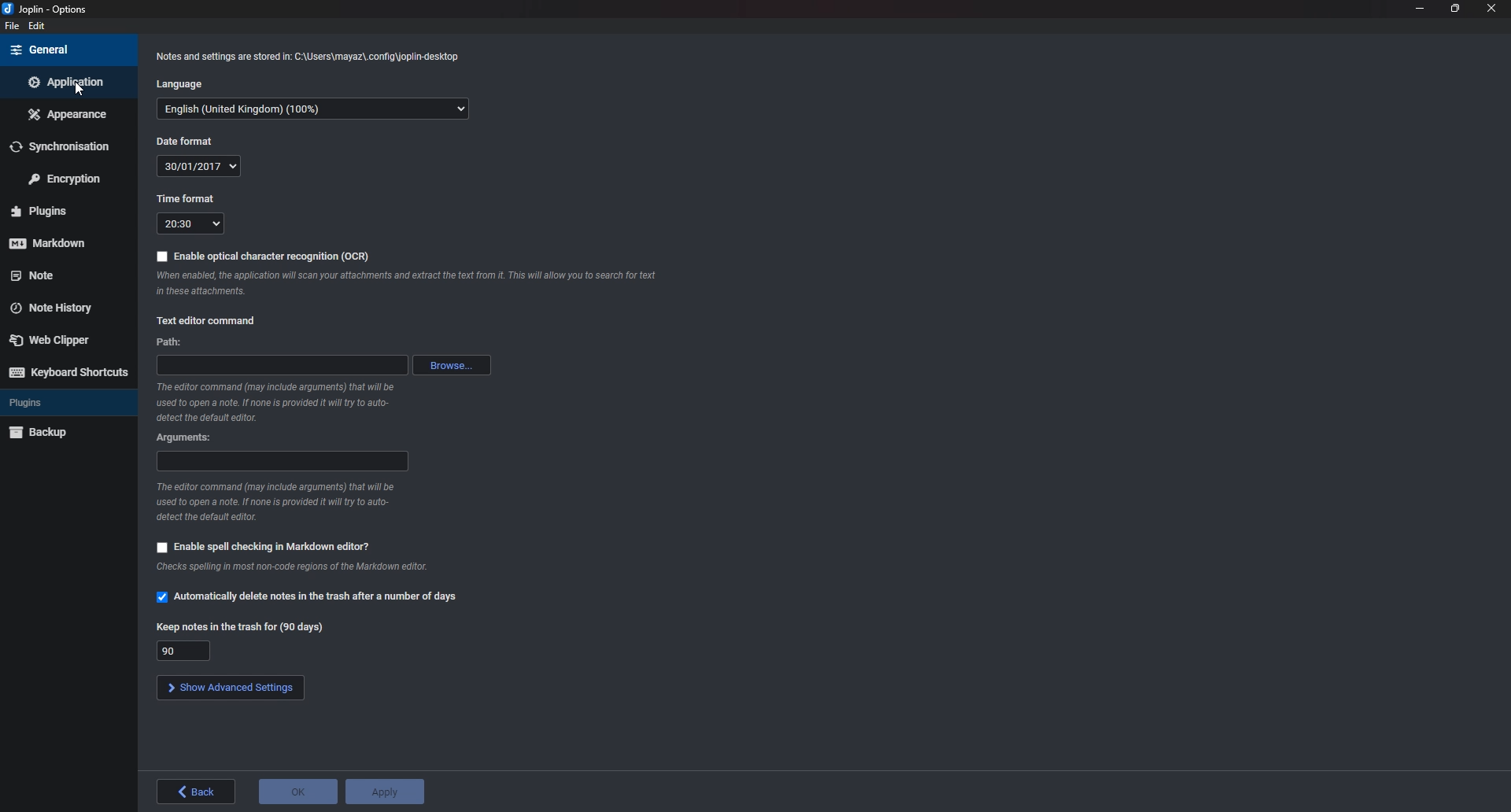 The width and height of the screenshot is (1511, 812). I want to click on arguments, so click(281, 461).